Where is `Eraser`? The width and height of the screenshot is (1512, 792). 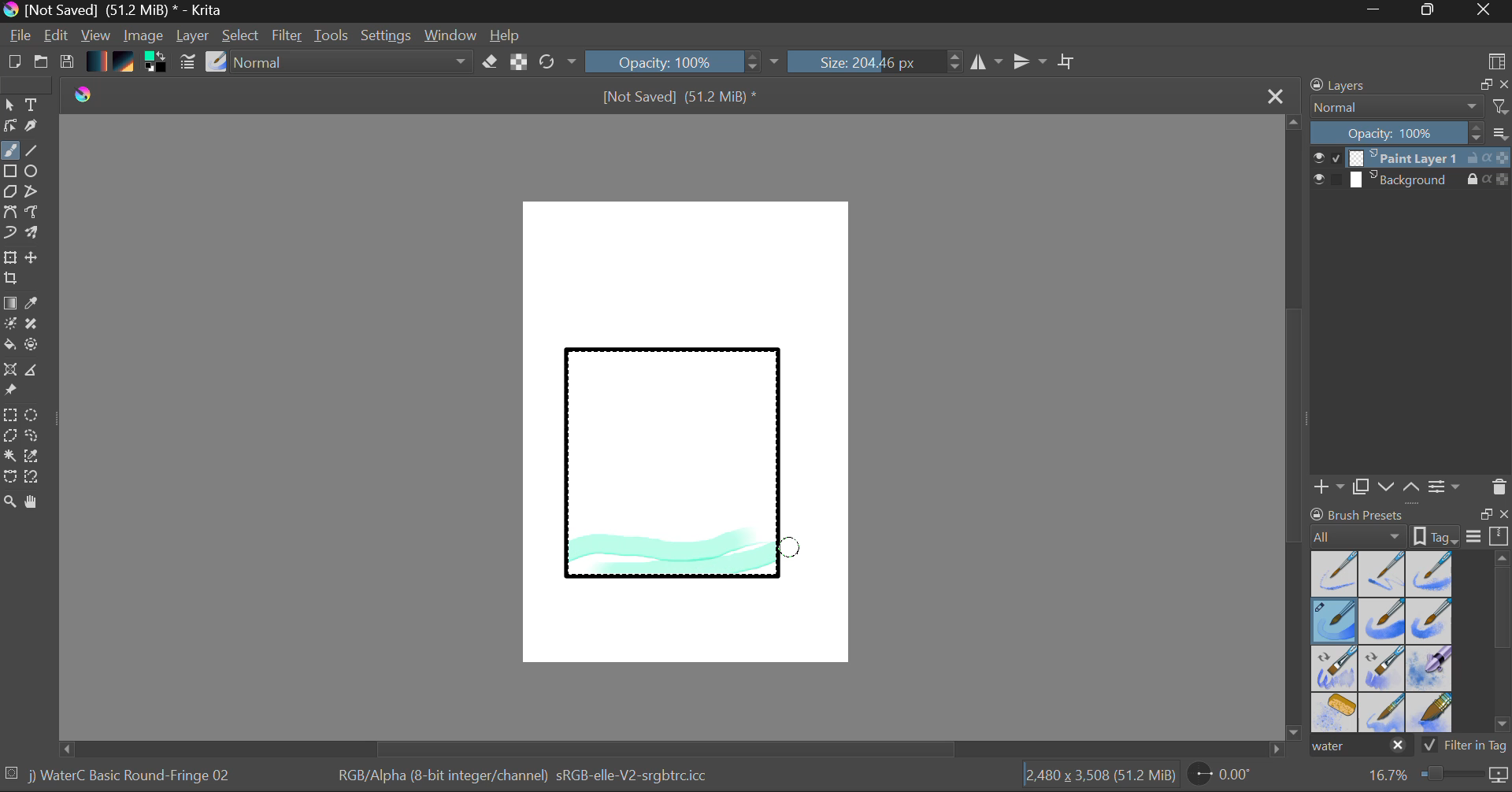
Eraser is located at coordinates (491, 62).